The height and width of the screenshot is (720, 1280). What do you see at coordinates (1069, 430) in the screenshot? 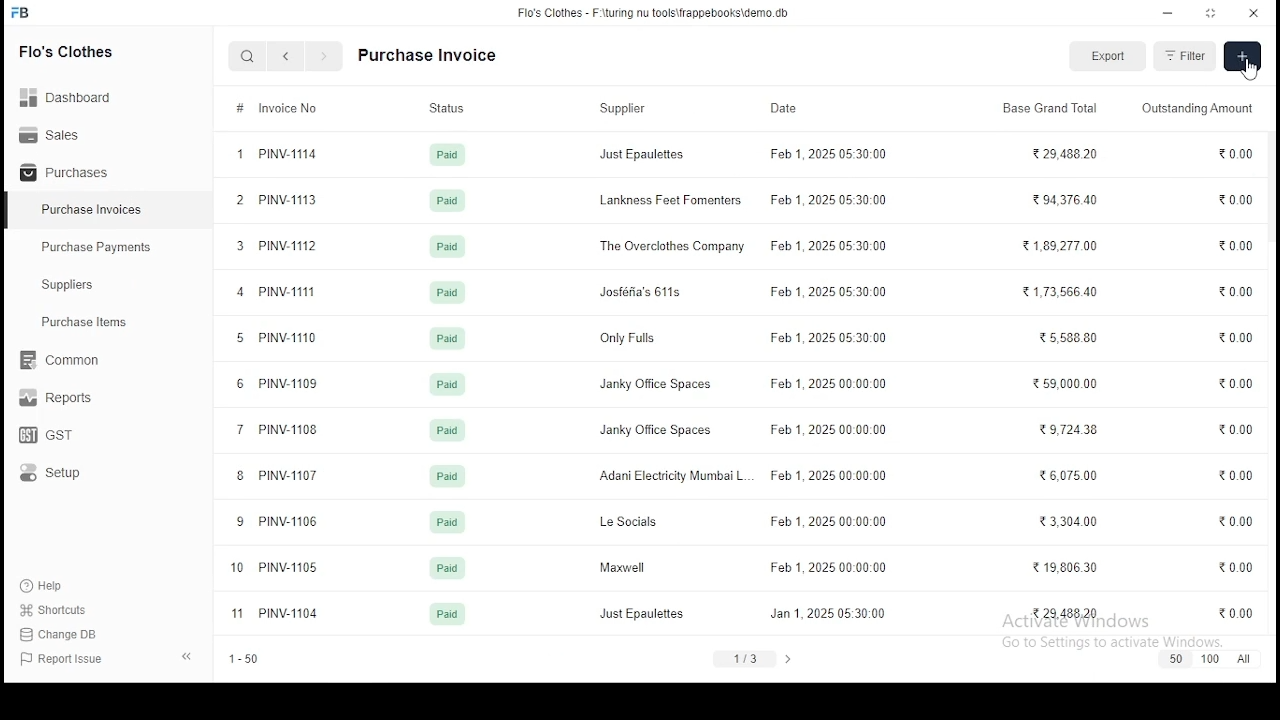
I see `9,724` at bounding box center [1069, 430].